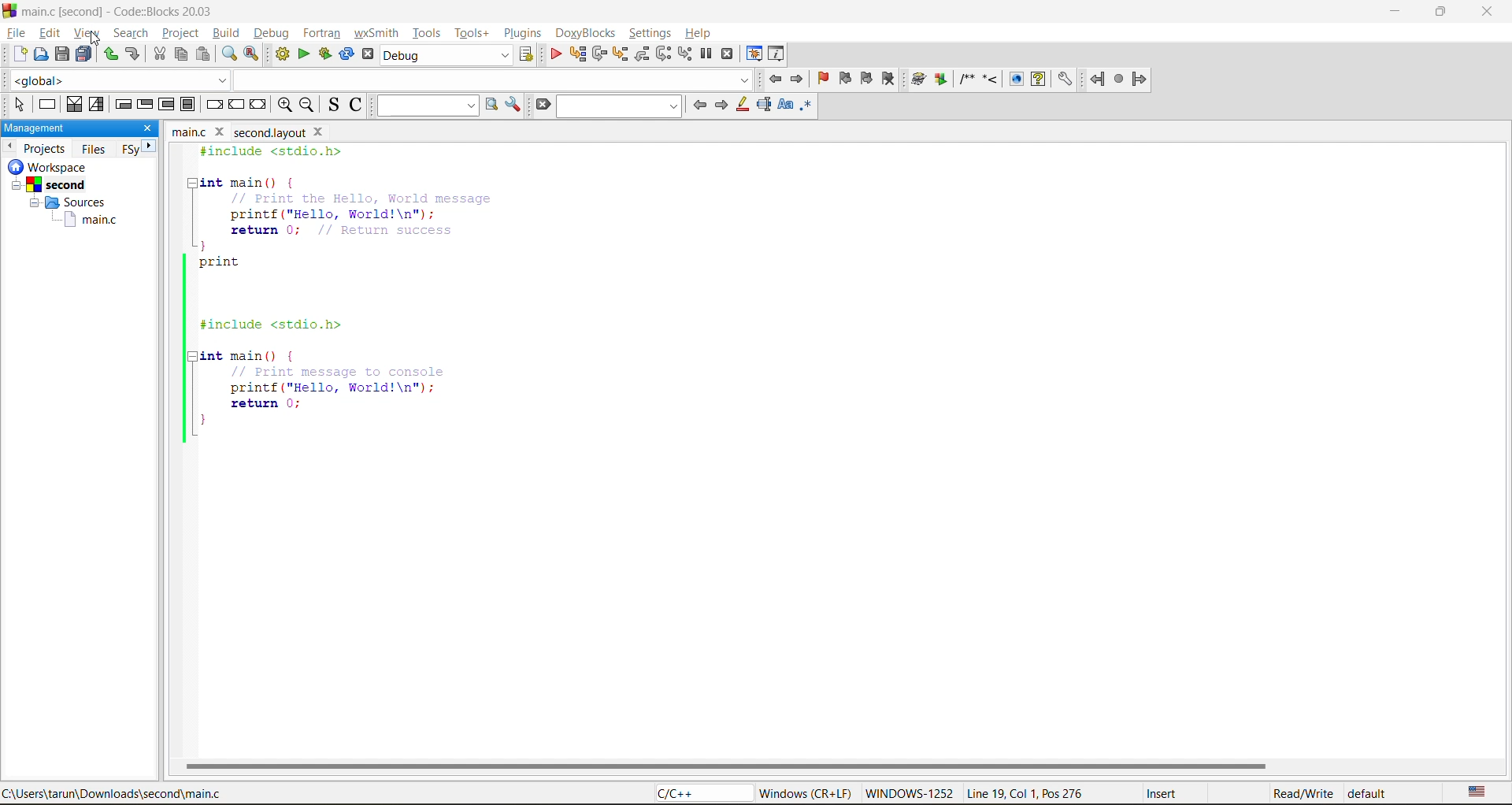  I want to click on next bookmark, so click(868, 83).